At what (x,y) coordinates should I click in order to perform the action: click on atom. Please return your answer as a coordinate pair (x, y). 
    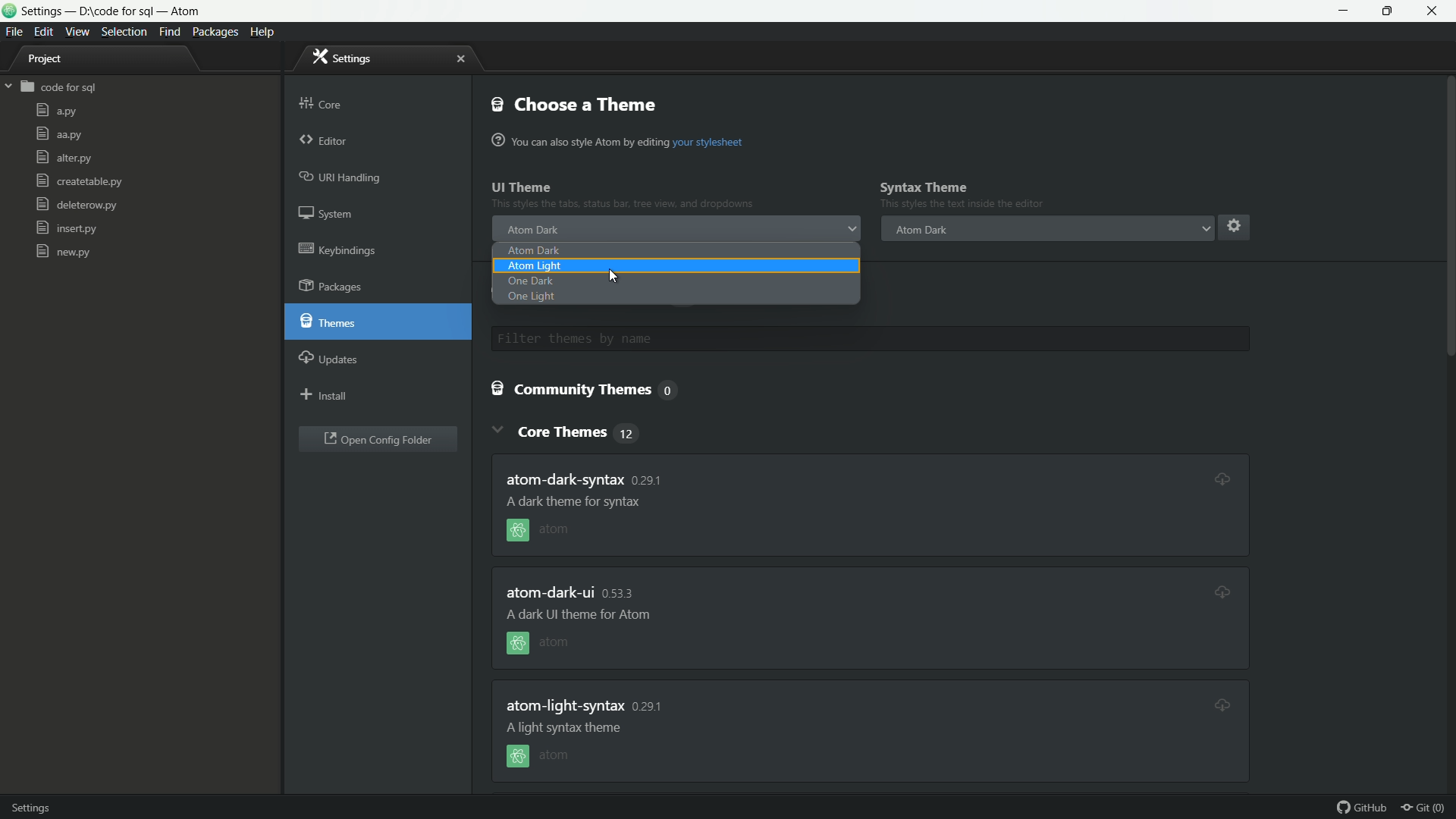
    Looking at the image, I should click on (538, 646).